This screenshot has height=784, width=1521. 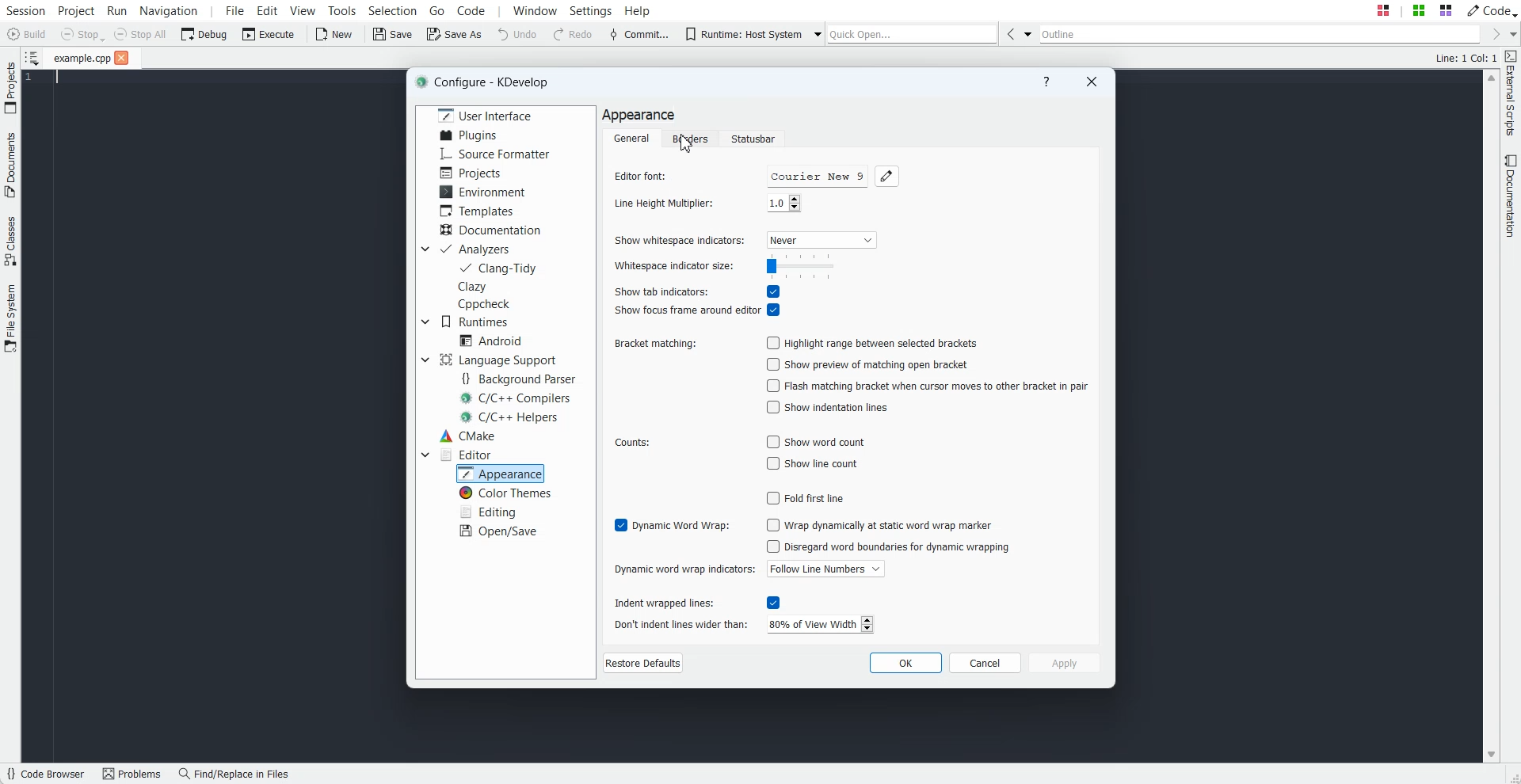 What do you see at coordinates (654, 344) in the screenshot?
I see `Bracket matching` at bounding box center [654, 344].